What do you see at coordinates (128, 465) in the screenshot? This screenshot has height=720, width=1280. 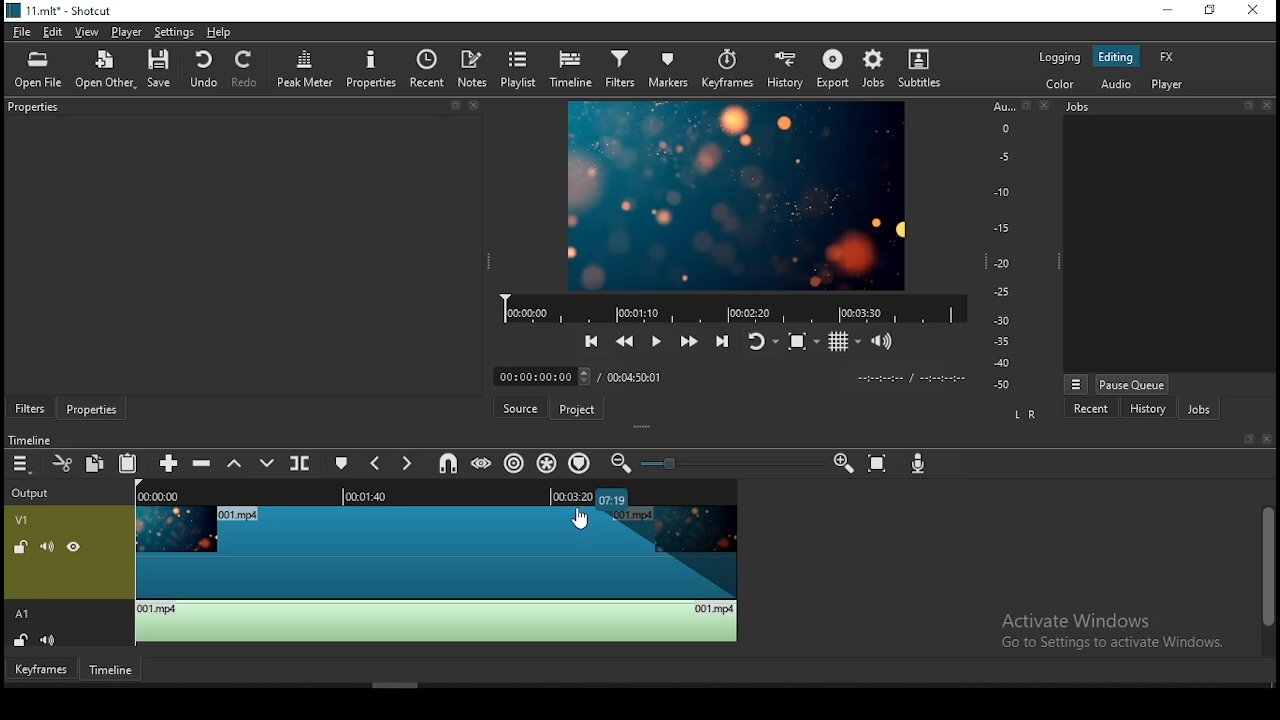 I see `paste` at bounding box center [128, 465].